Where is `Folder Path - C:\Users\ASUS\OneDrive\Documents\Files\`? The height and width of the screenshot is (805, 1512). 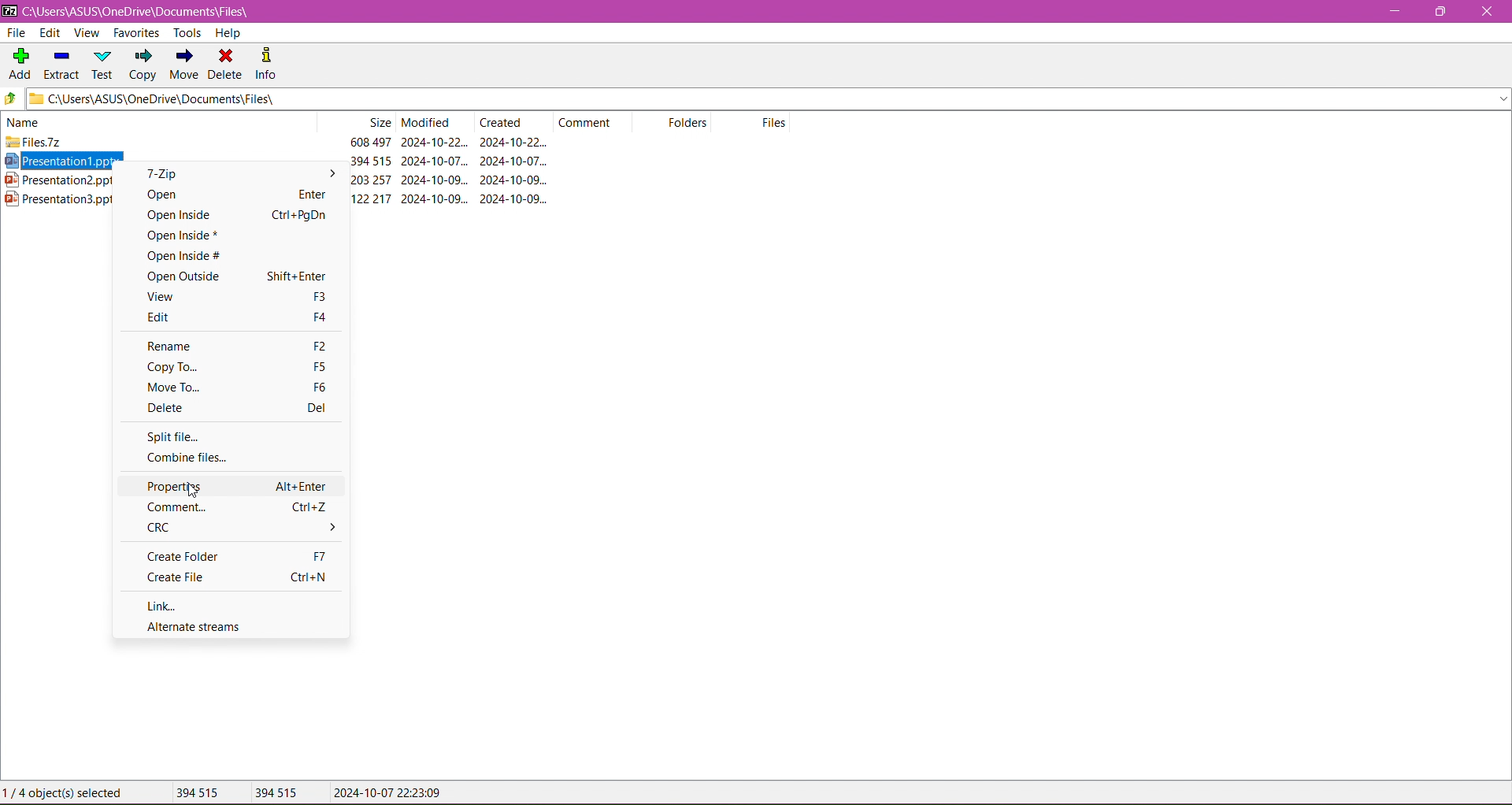
Folder Path - C:\Users\ASUS\OneDrive\Documents\Files\ is located at coordinates (143, 9).